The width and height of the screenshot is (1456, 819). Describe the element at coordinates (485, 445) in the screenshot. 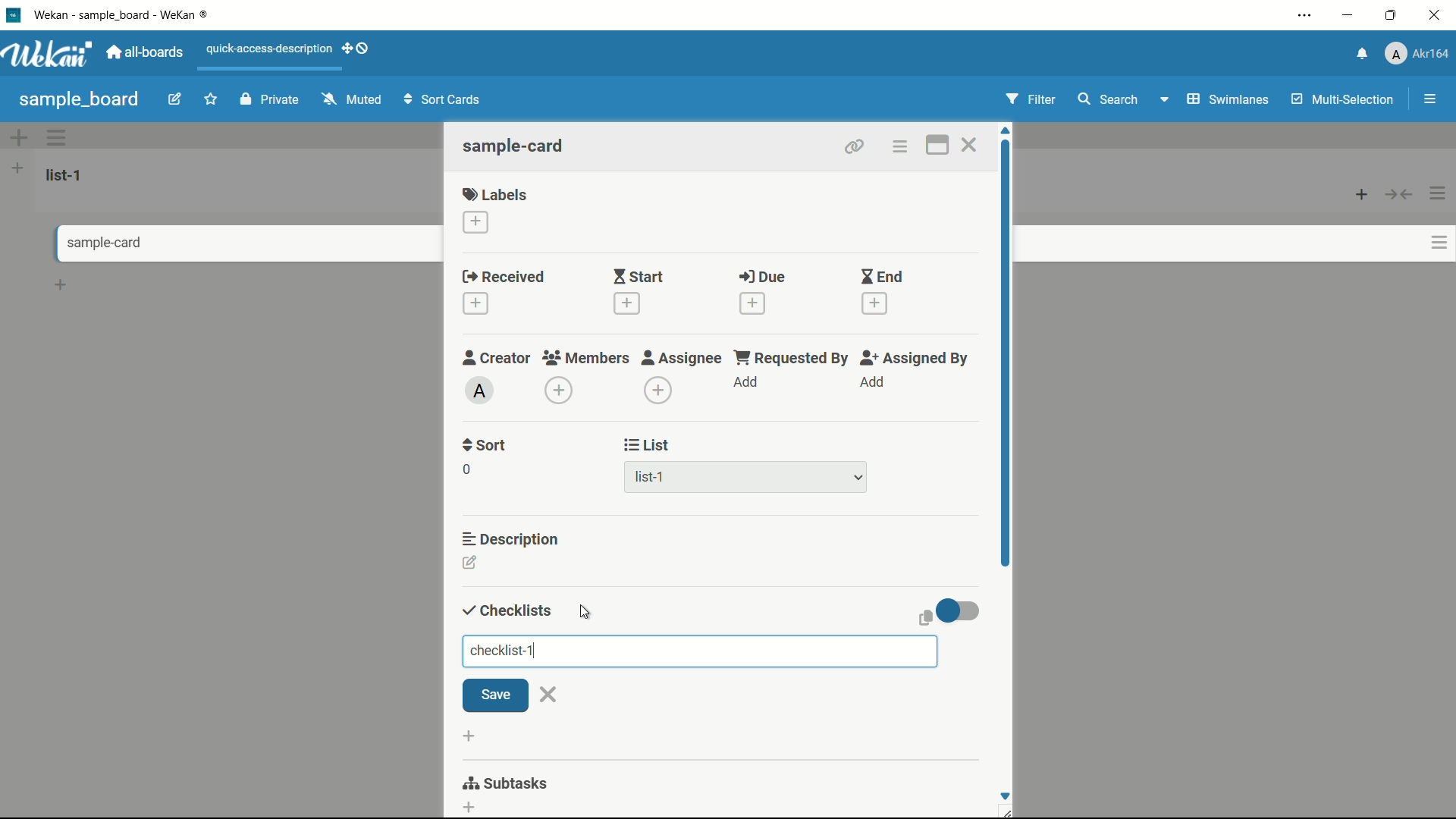

I see `sort` at that location.